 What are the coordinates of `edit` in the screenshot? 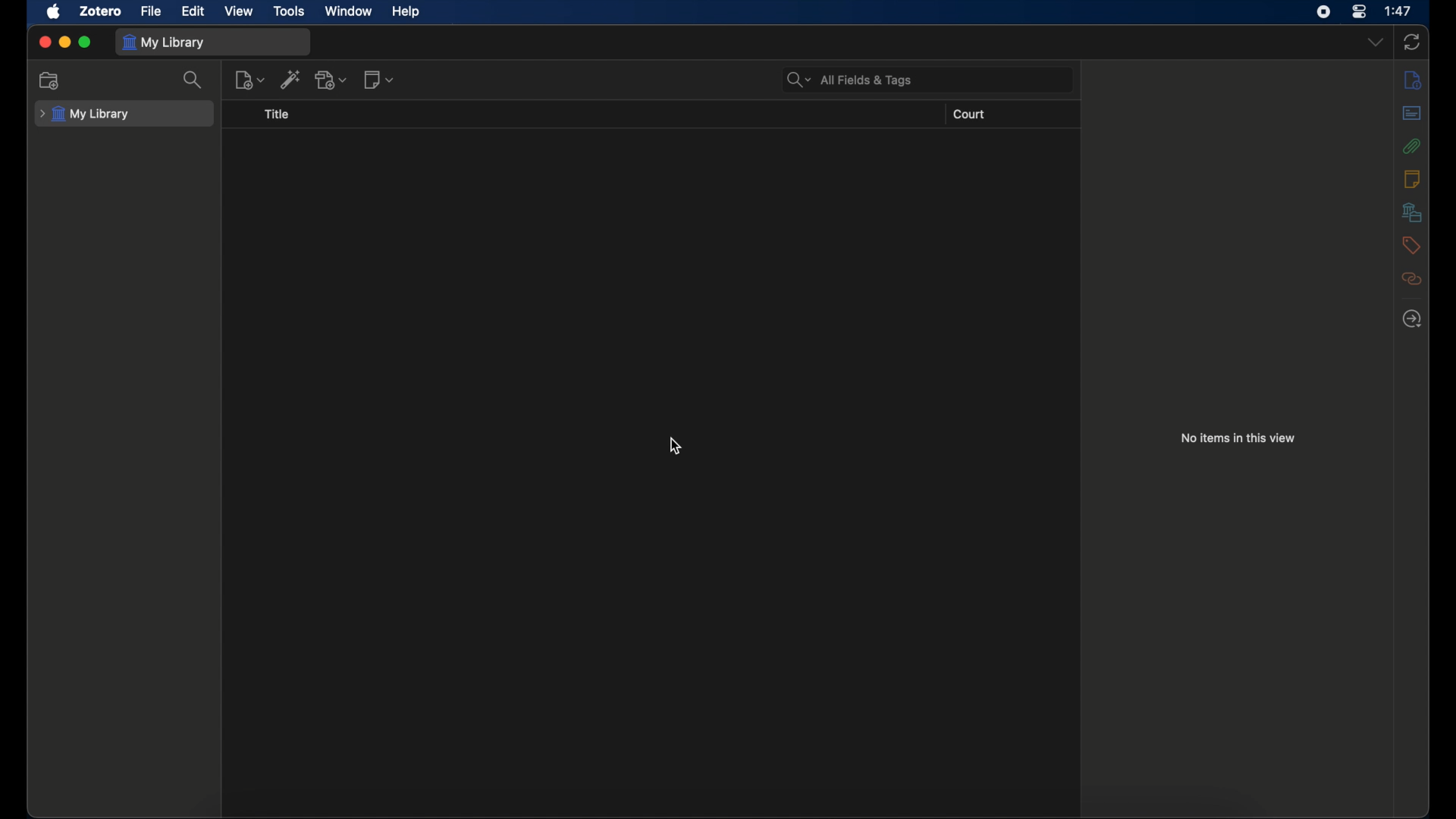 It's located at (193, 11).